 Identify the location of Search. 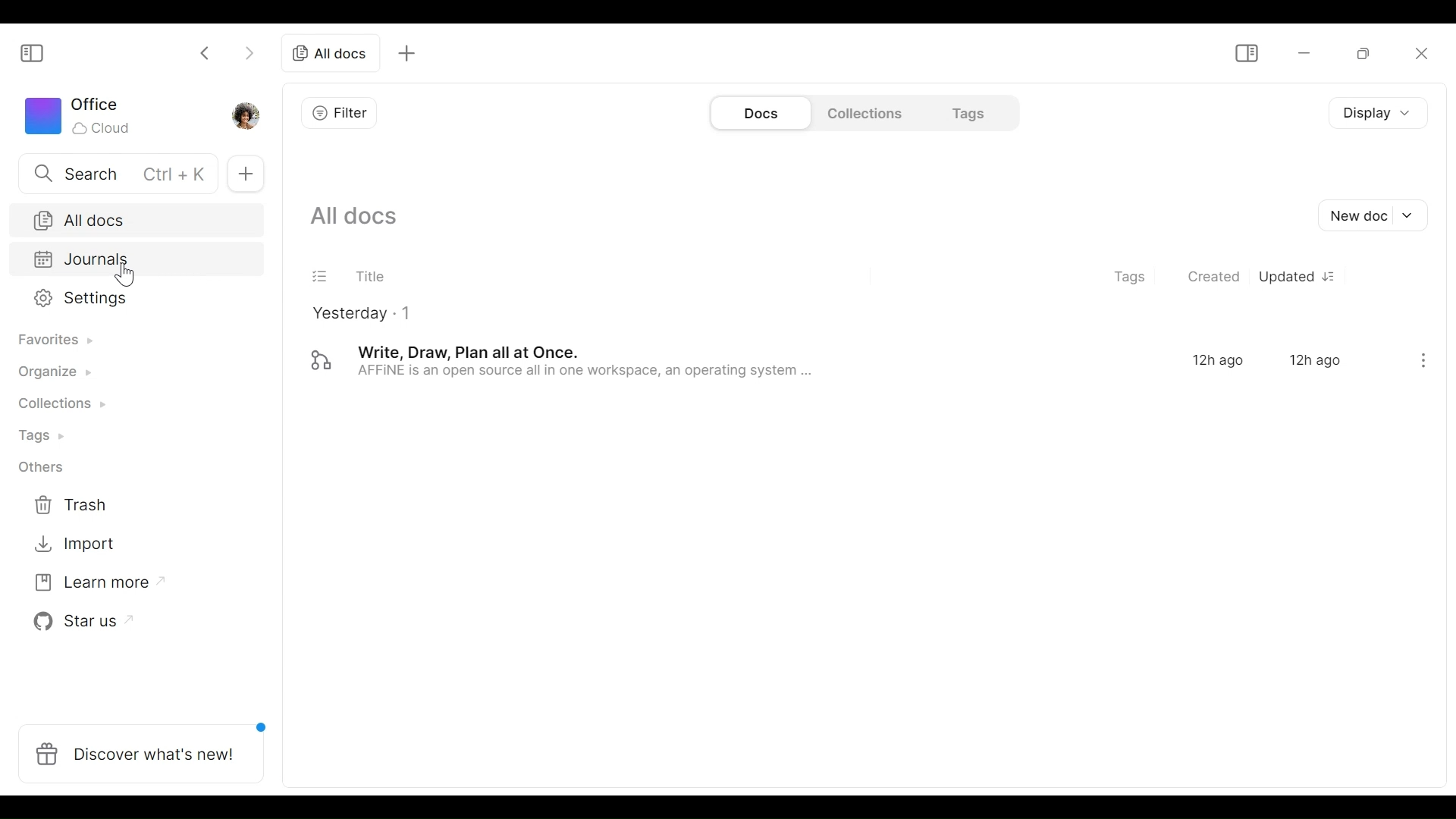
(116, 173).